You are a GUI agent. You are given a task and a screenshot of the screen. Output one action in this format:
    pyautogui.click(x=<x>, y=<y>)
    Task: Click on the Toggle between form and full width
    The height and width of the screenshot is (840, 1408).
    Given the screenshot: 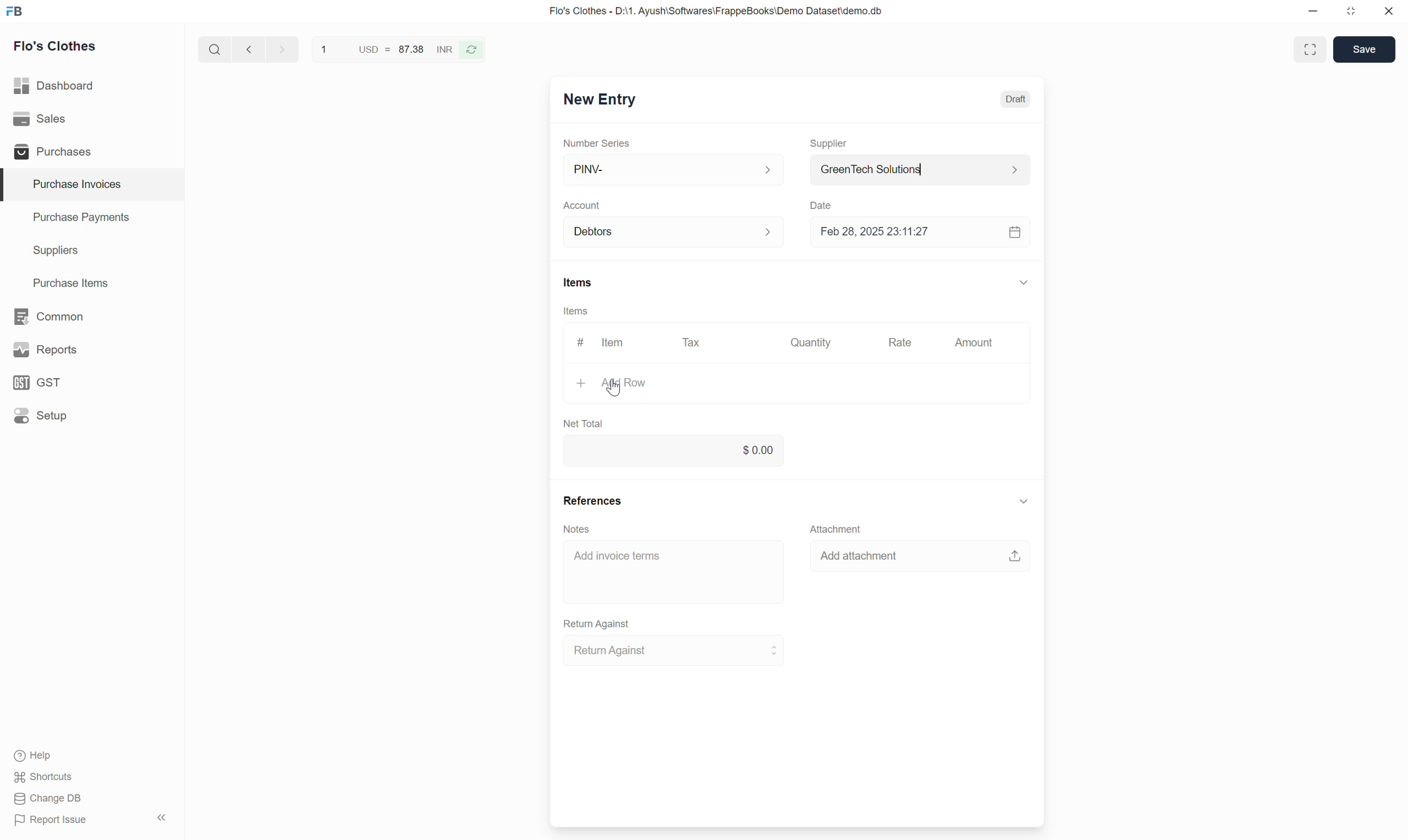 What is the action you would take?
    pyautogui.click(x=1311, y=49)
    